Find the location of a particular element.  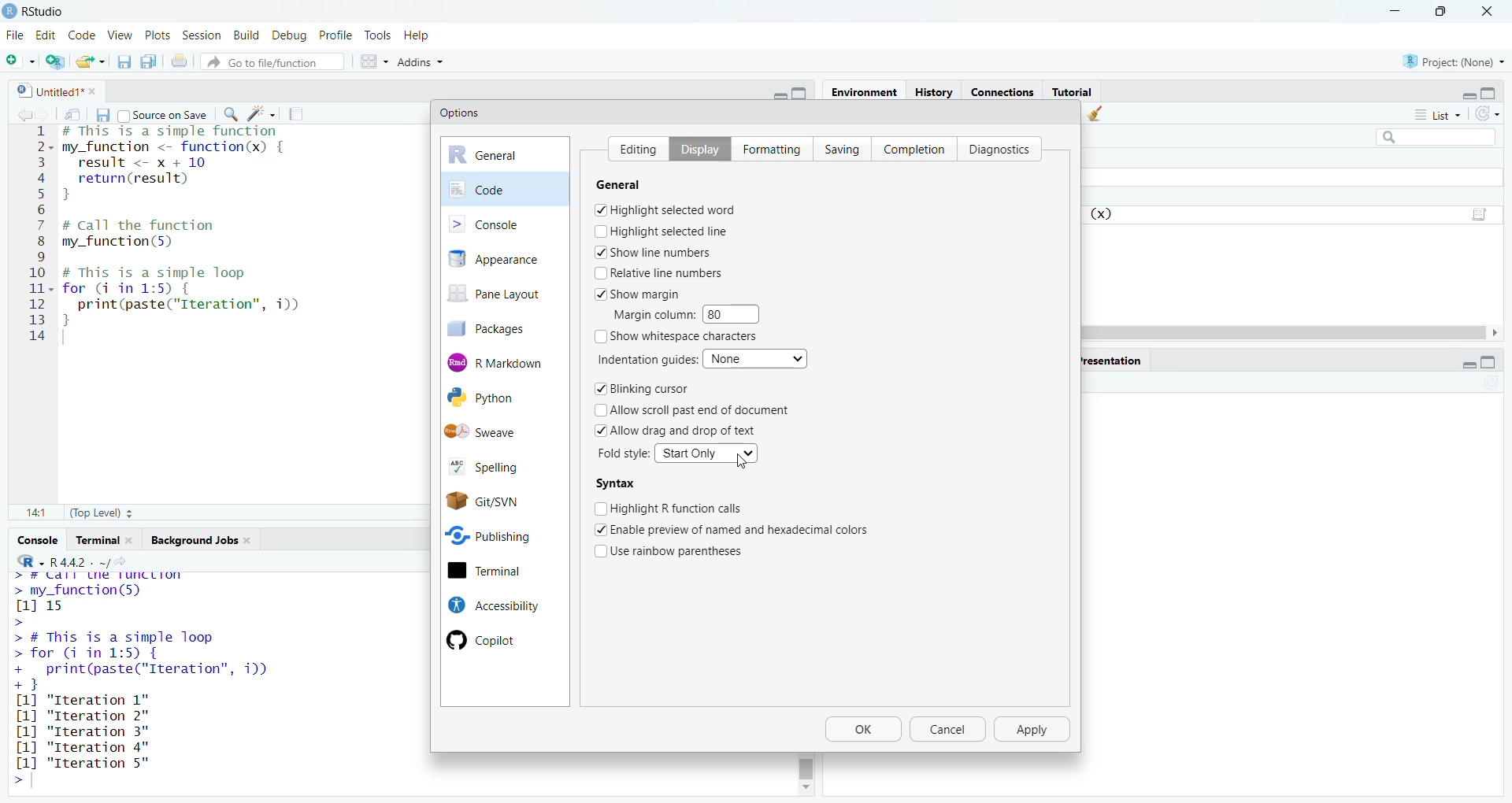

Tutorial is located at coordinates (1073, 91).